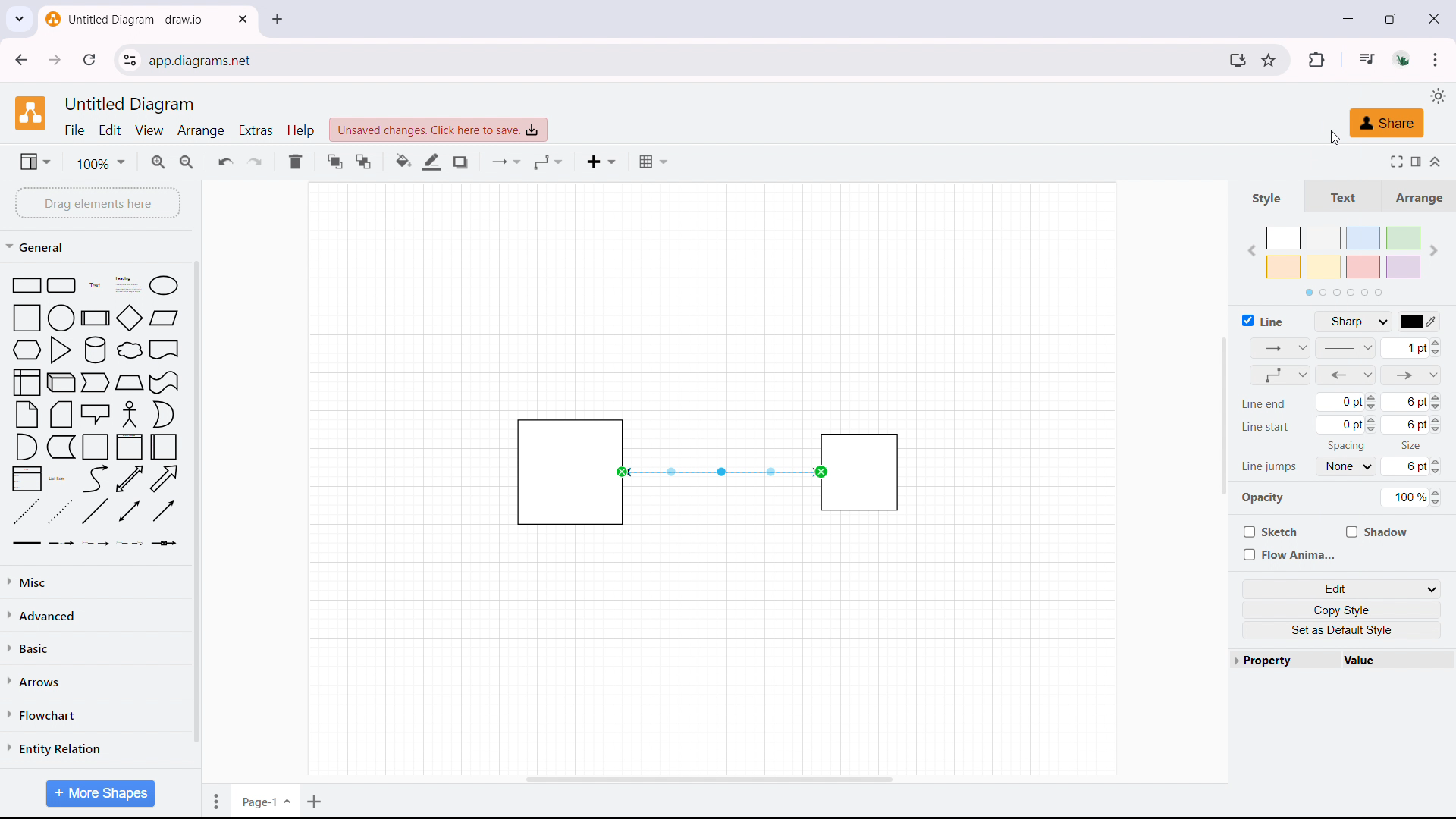  What do you see at coordinates (96, 581) in the screenshot?
I see `miscelleneous` at bounding box center [96, 581].